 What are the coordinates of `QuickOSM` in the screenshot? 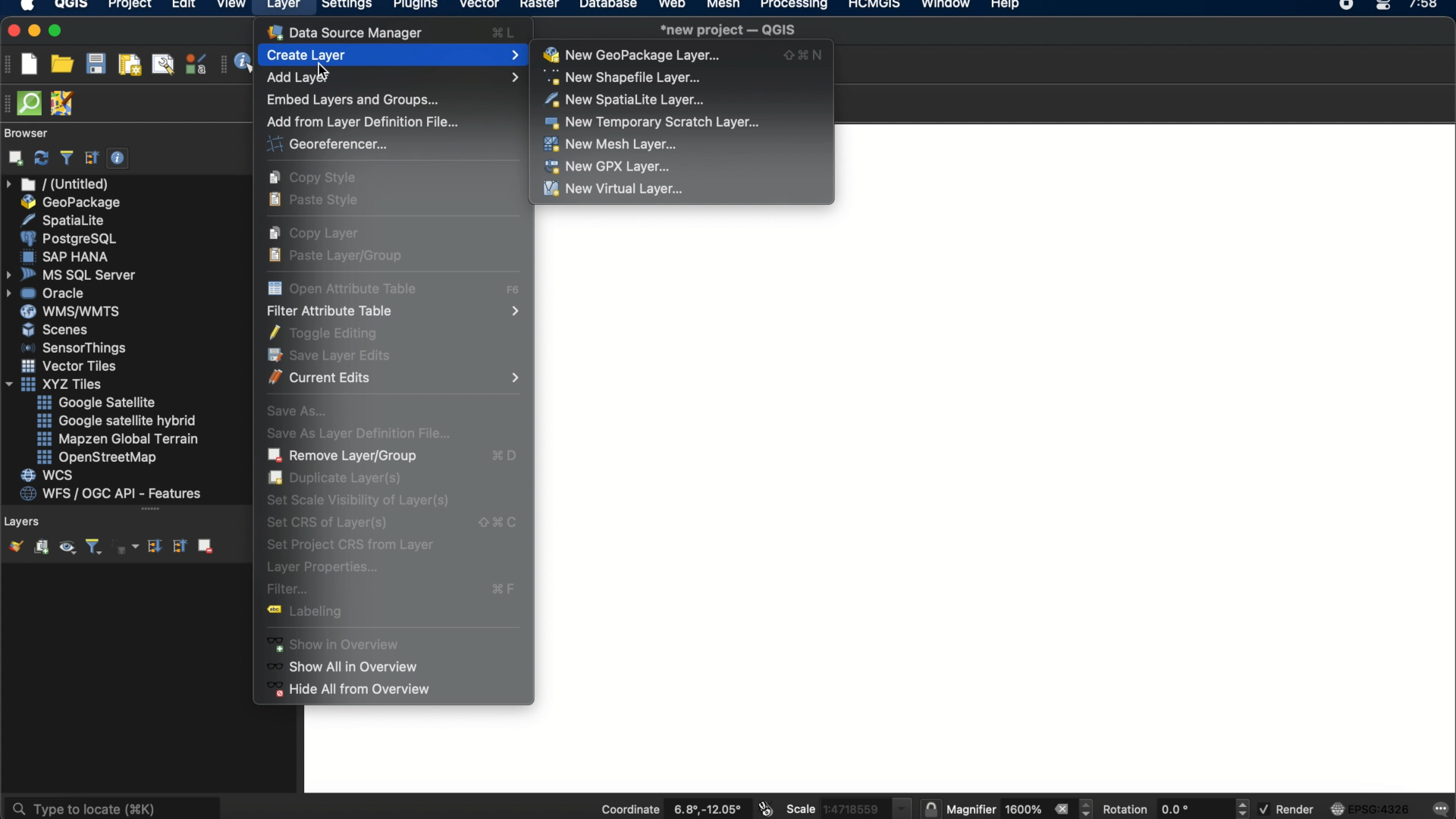 It's located at (33, 103).